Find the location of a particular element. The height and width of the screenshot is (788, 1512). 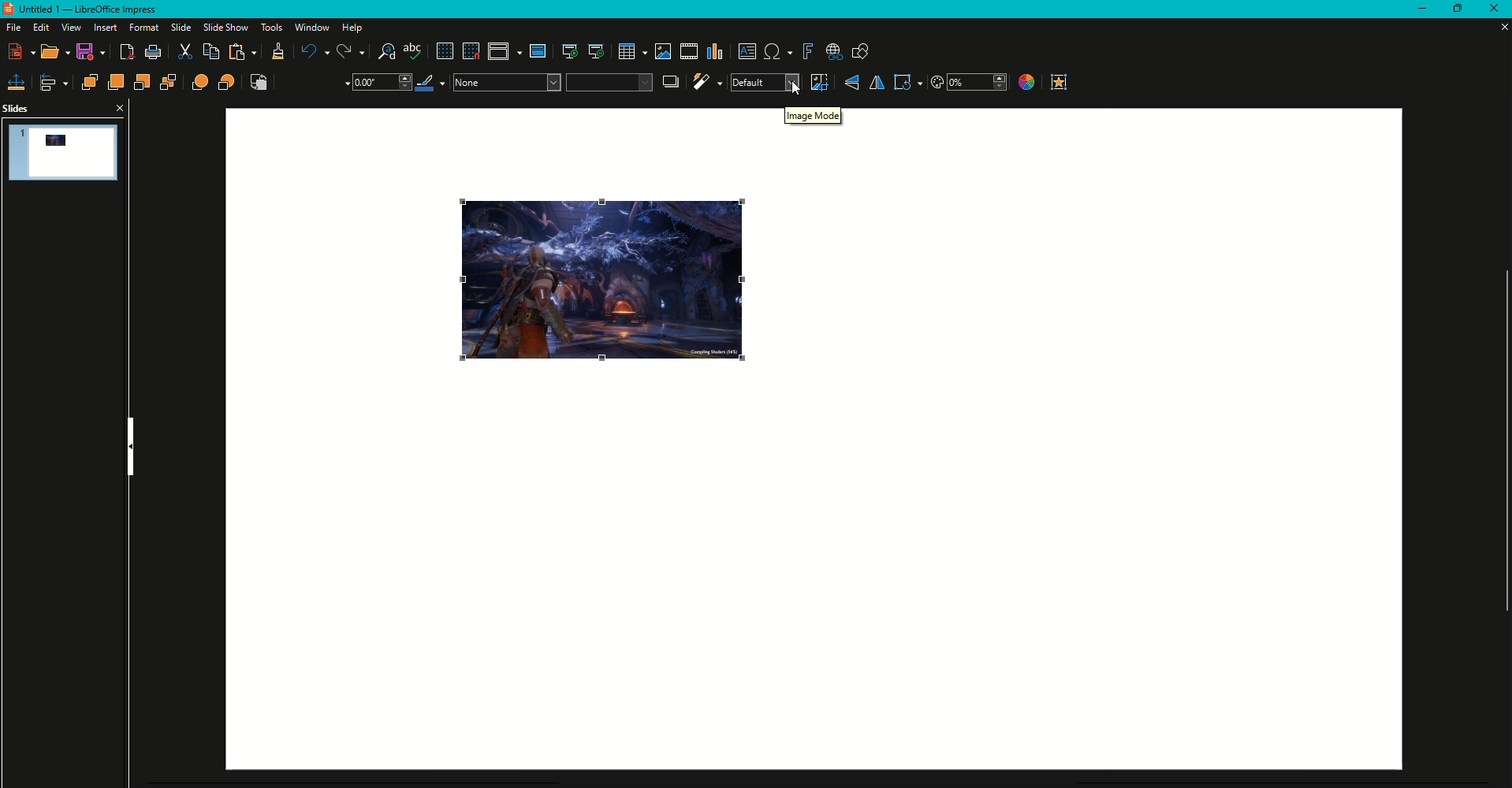

Window is located at coordinates (310, 28).